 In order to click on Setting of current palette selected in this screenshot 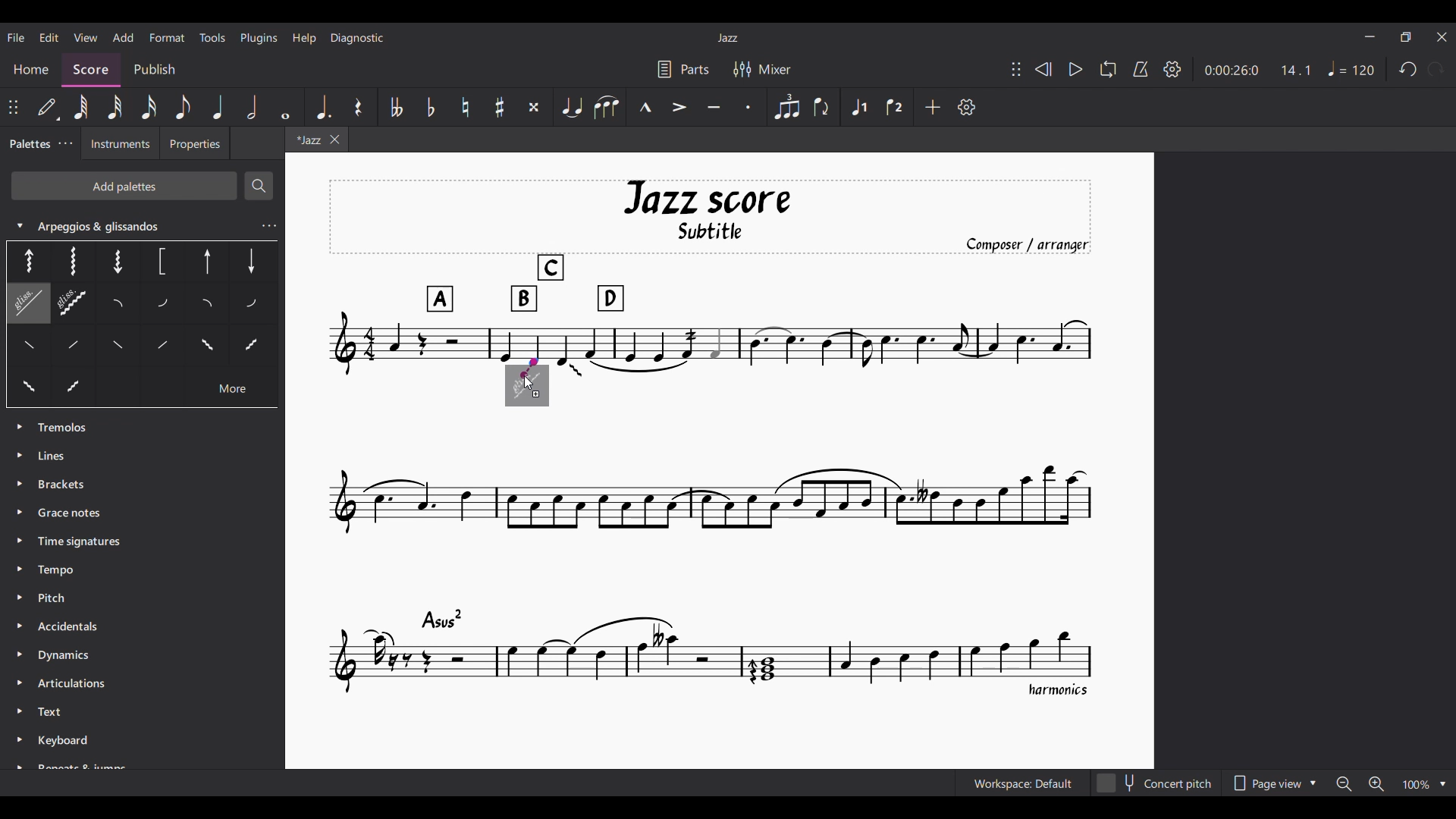, I will do `click(268, 226)`.